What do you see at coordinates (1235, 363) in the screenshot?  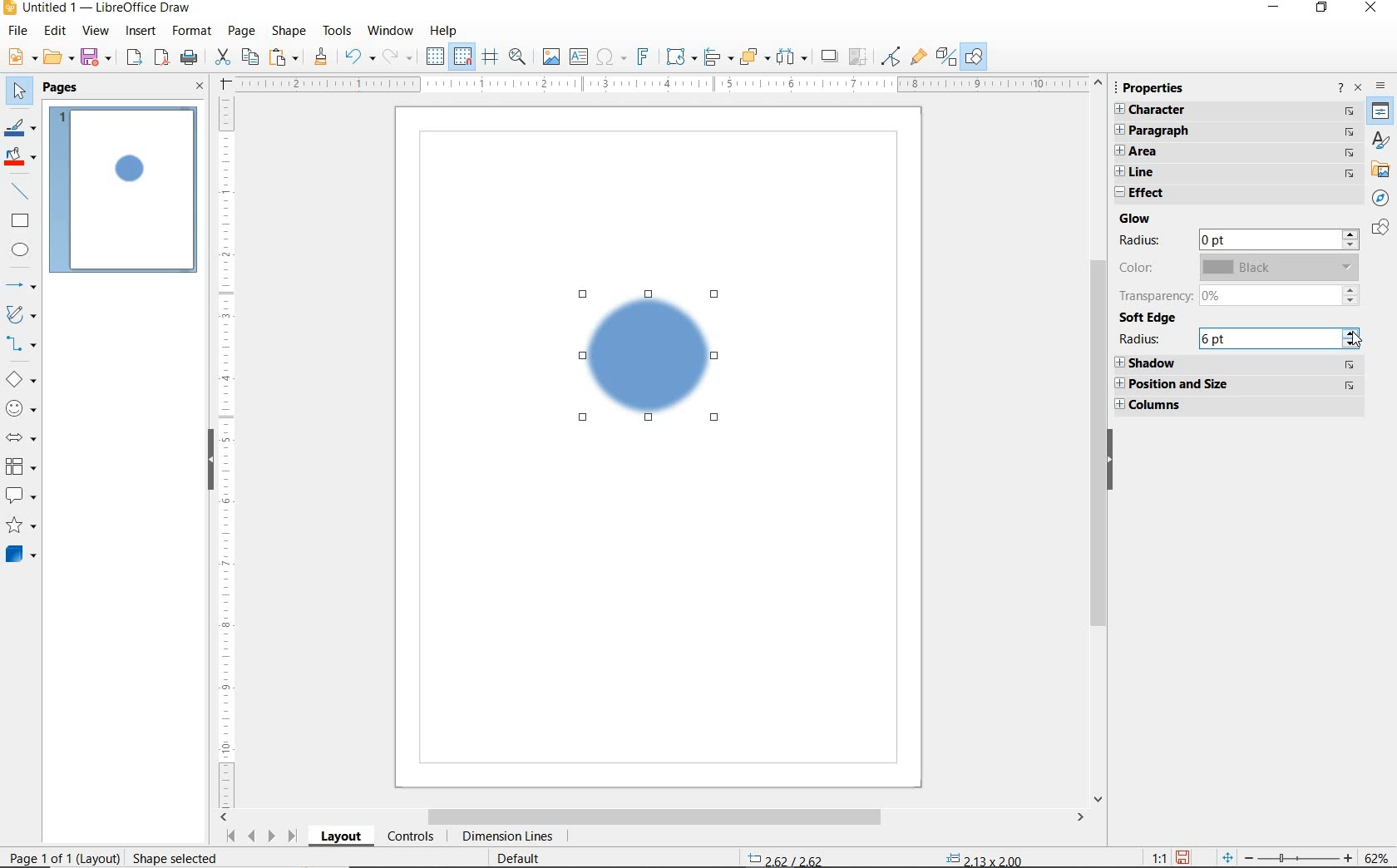 I see `SHADOW` at bounding box center [1235, 363].